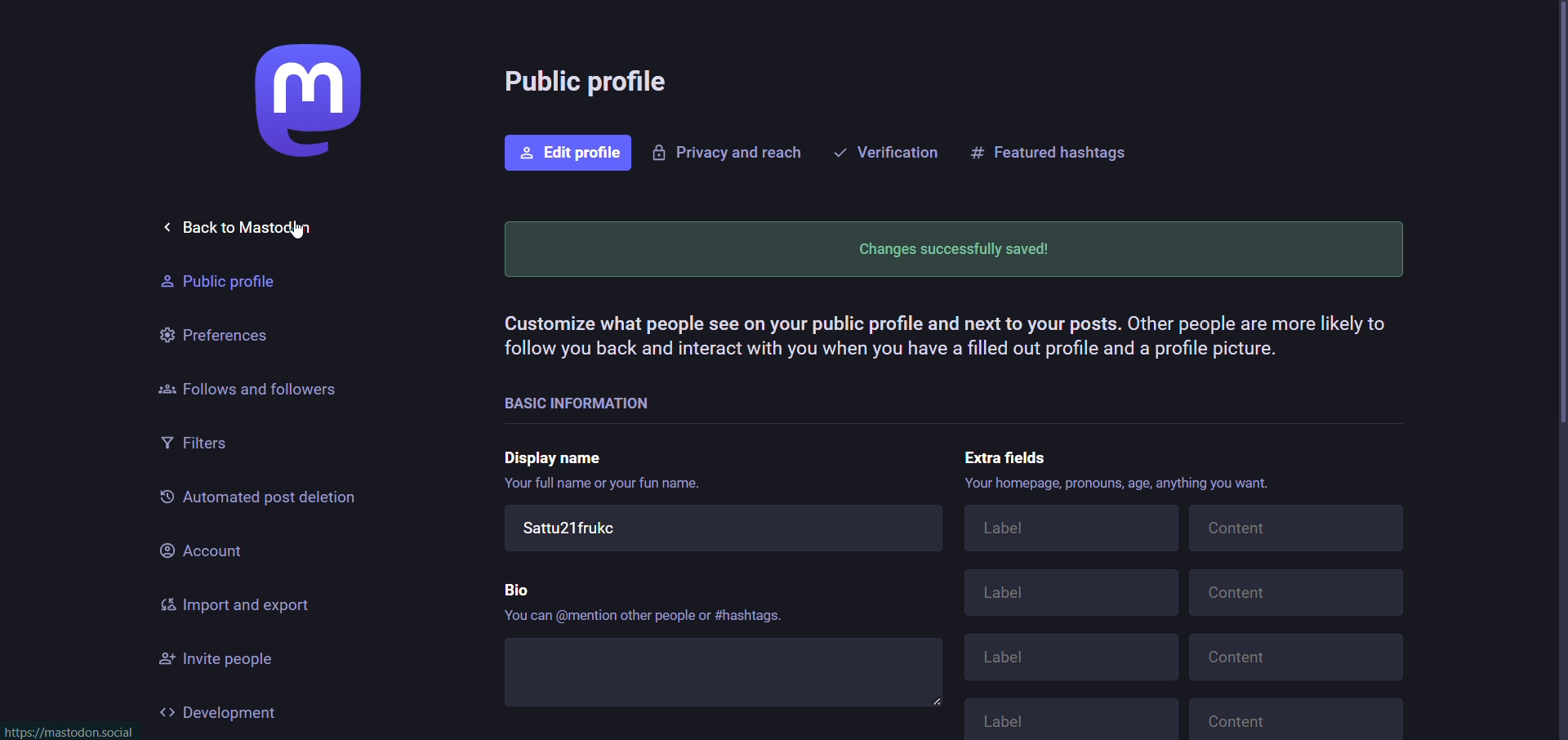 This screenshot has width=1568, height=740. Describe the element at coordinates (73, 732) in the screenshot. I see `https://mastodon.social` at that location.